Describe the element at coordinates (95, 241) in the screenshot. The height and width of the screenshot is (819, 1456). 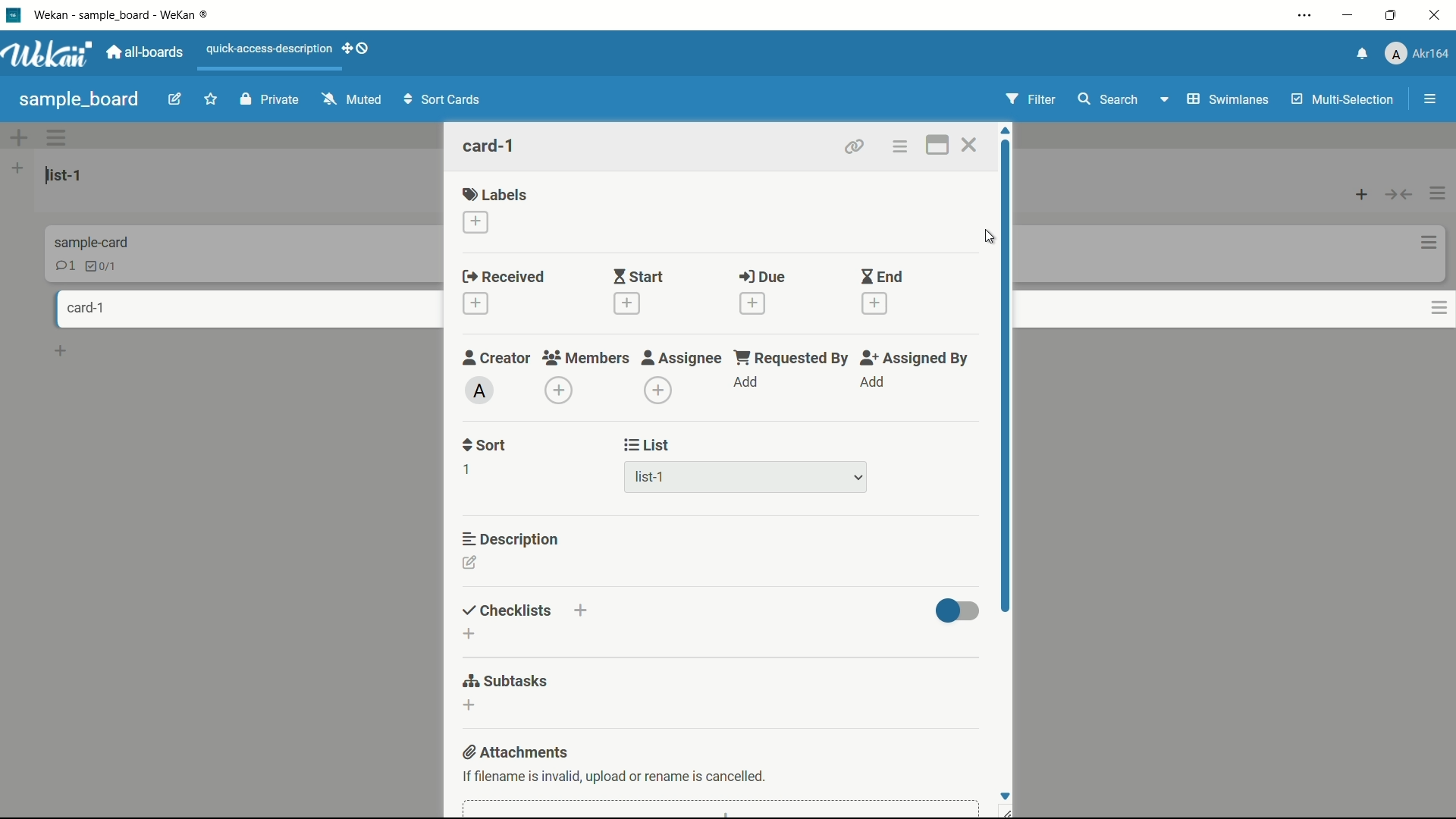
I see `` at that location.